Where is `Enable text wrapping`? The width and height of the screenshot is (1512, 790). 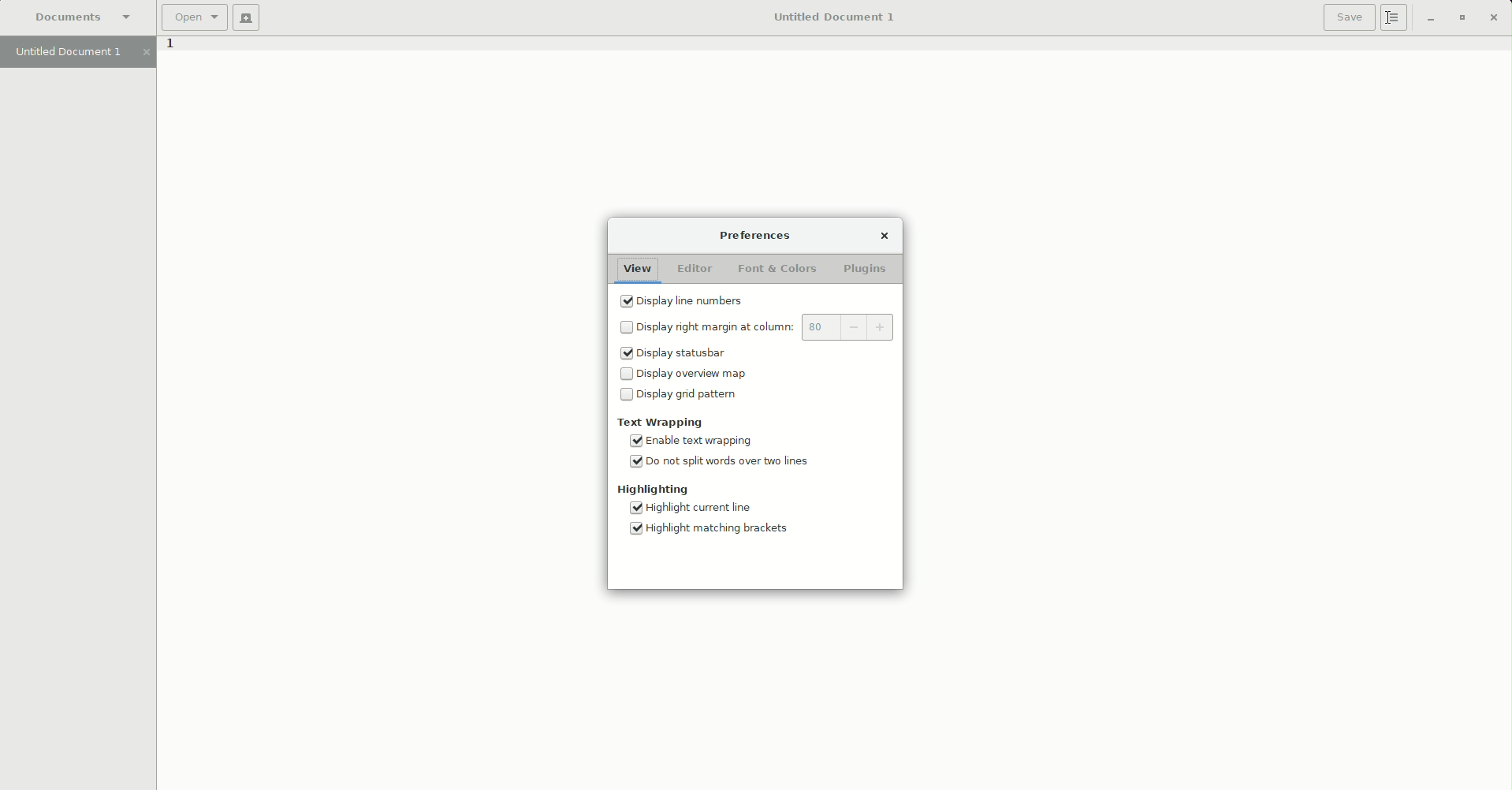
Enable text wrapping is located at coordinates (697, 441).